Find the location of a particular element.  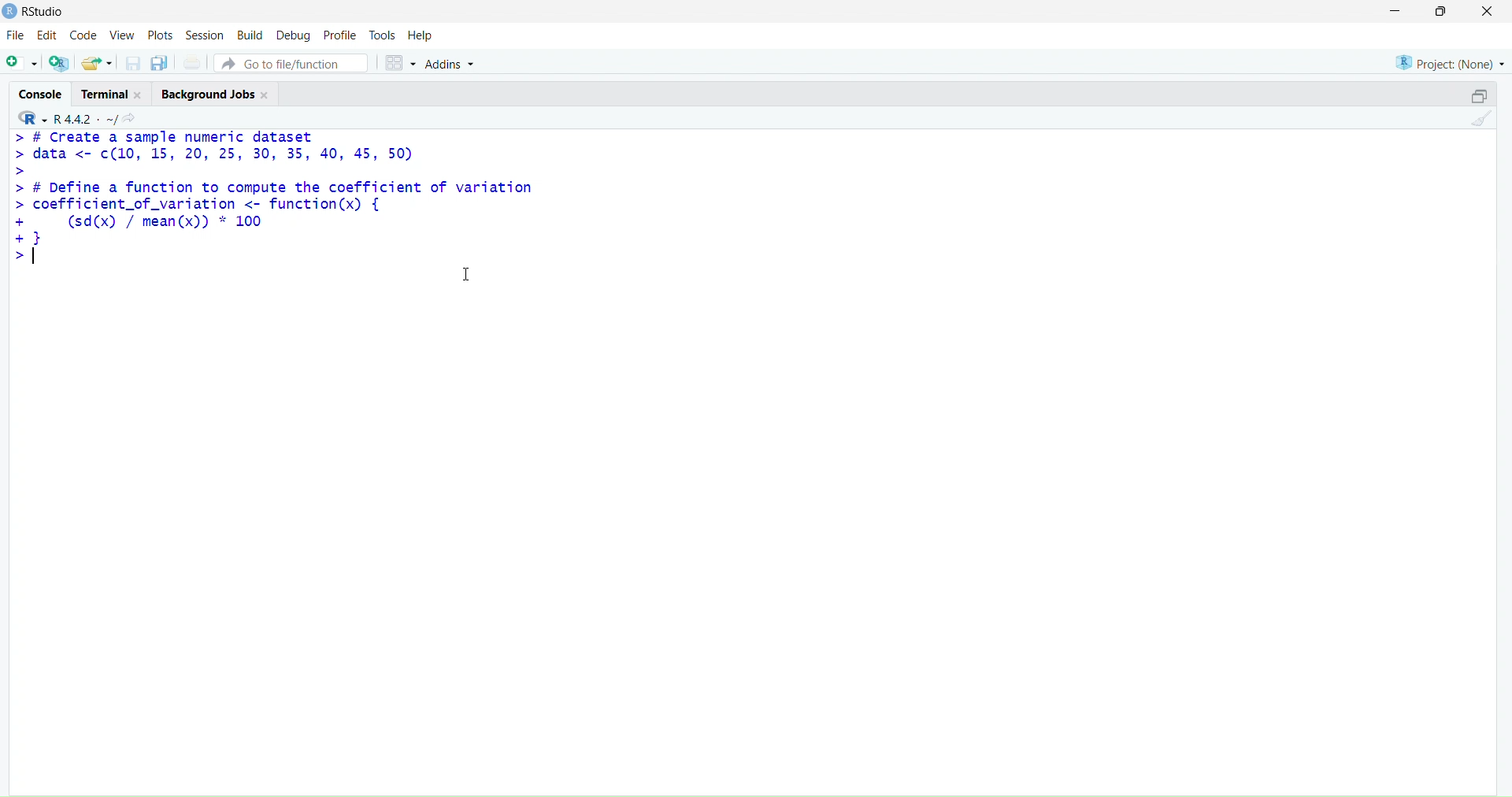

> # Create a sample numeric dataset> data <- c¢(10, 15, 20, 25, 30, 35, 40, 45, 50)>> # Define a function to compute the coefficient of variation> coefficient_of_variation <- function(x) {+ (sd(x) / mean(x)) * 100+}> is located at coordinates (277, 198).